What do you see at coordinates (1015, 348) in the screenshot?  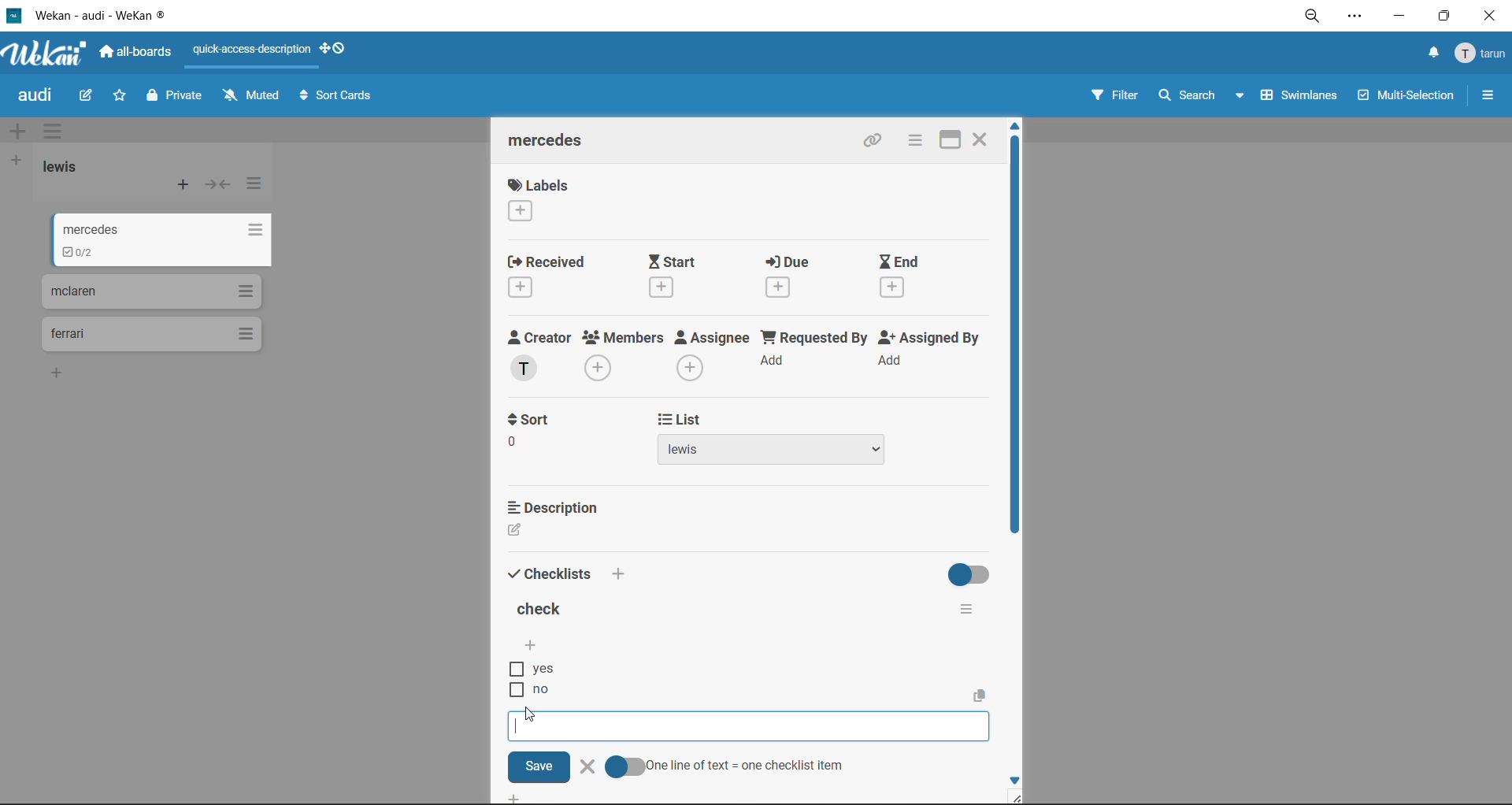 I see `vertical scroll bar` at bounding box center [1015, 348].